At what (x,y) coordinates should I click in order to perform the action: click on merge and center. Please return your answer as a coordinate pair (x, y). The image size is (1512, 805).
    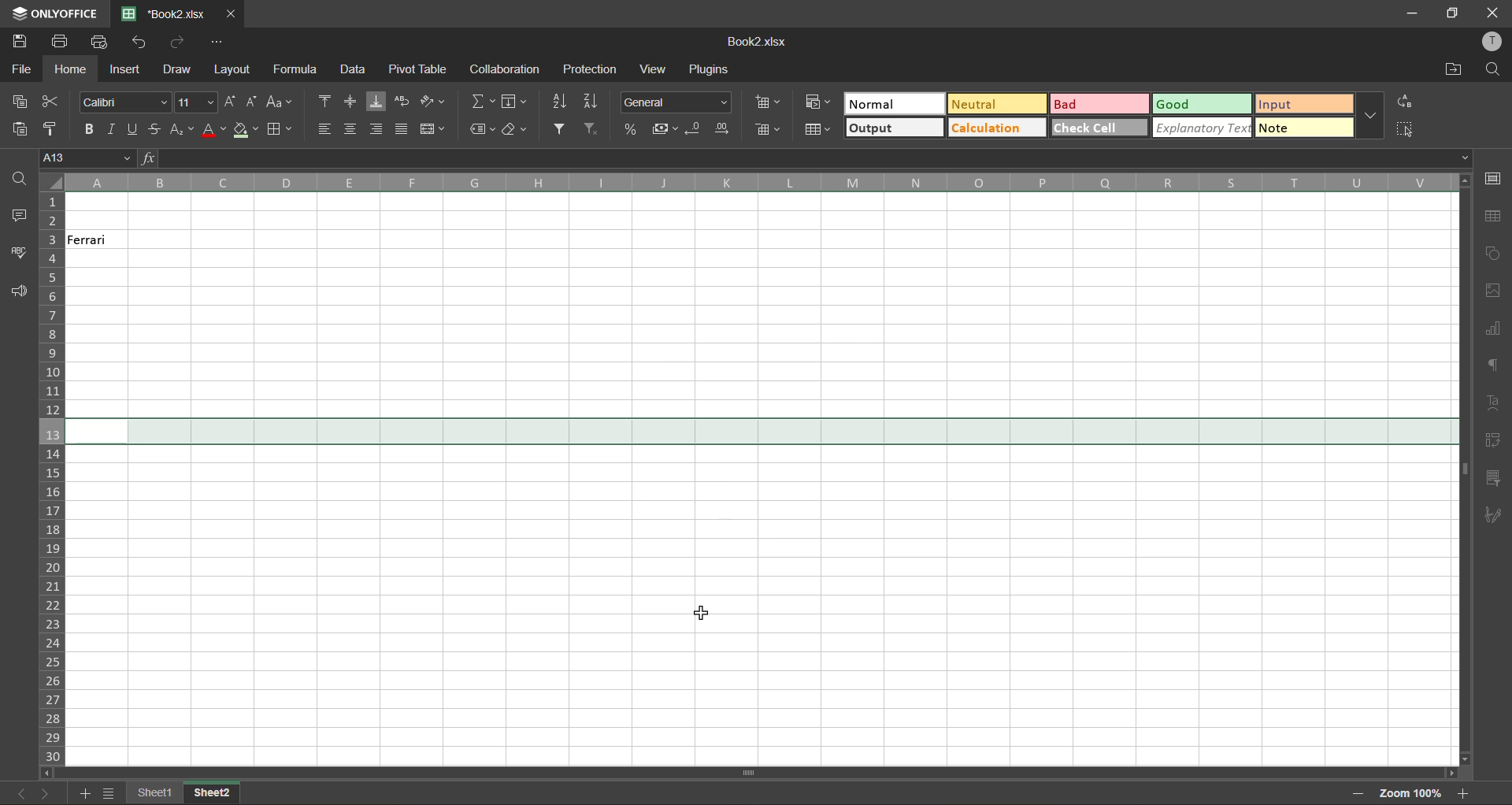
    Looking at the image, I should click on (432, 129).